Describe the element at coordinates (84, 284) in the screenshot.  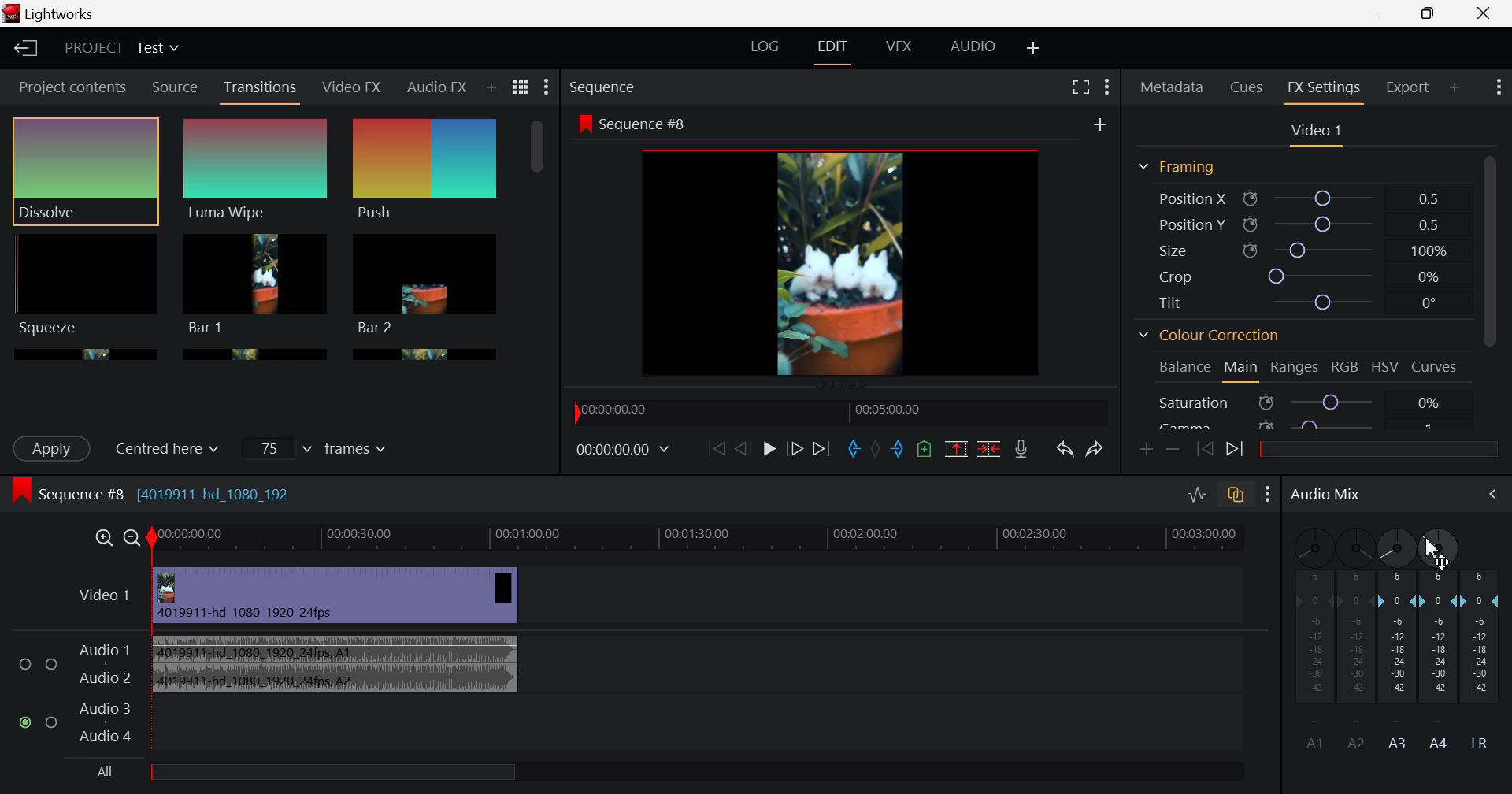
I see `Squeeze` at that location.